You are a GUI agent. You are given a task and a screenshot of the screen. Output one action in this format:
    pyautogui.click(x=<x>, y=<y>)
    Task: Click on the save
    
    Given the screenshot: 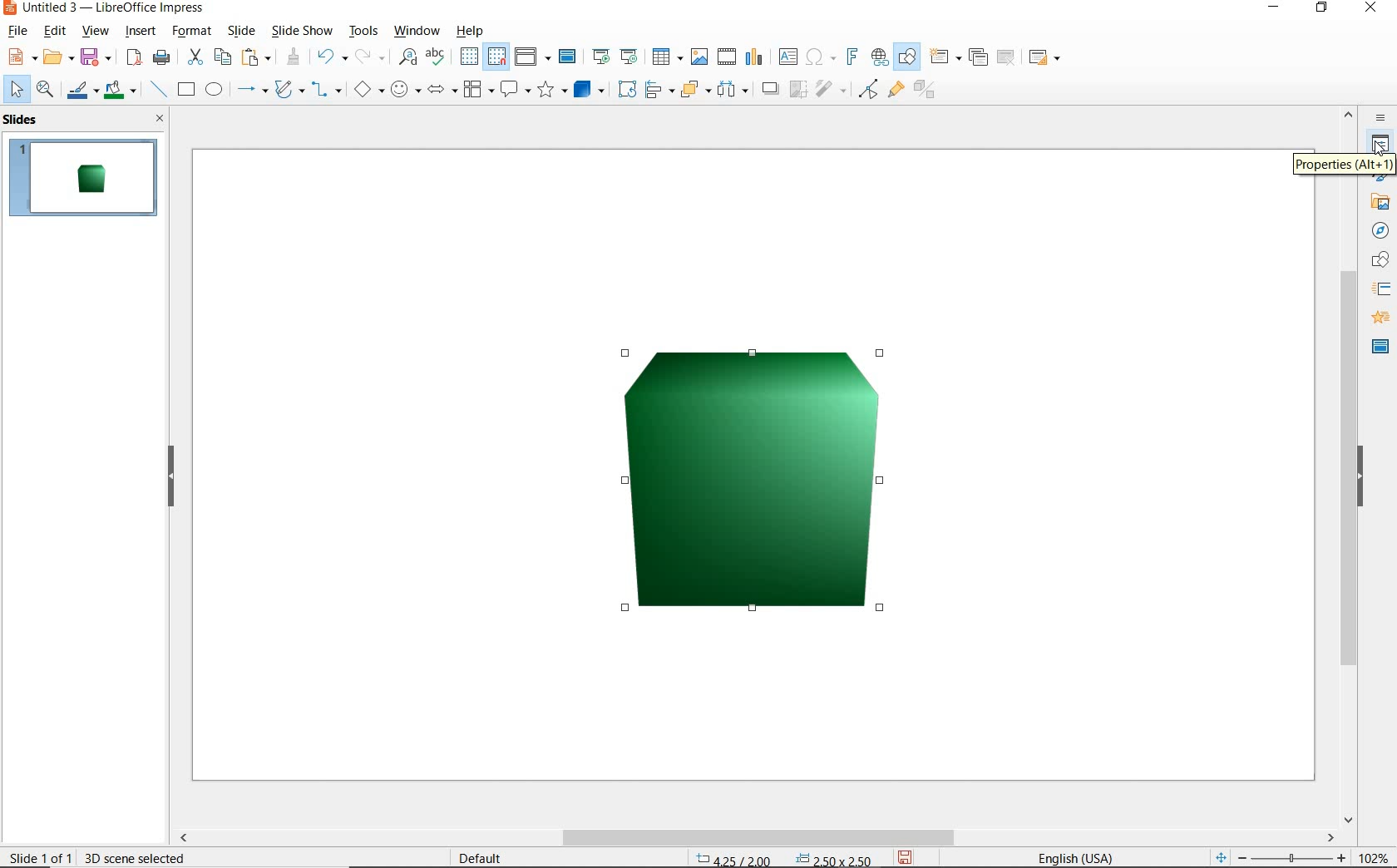 What is the action you would take?
    pyautogui.click(x=95, y=59)
    